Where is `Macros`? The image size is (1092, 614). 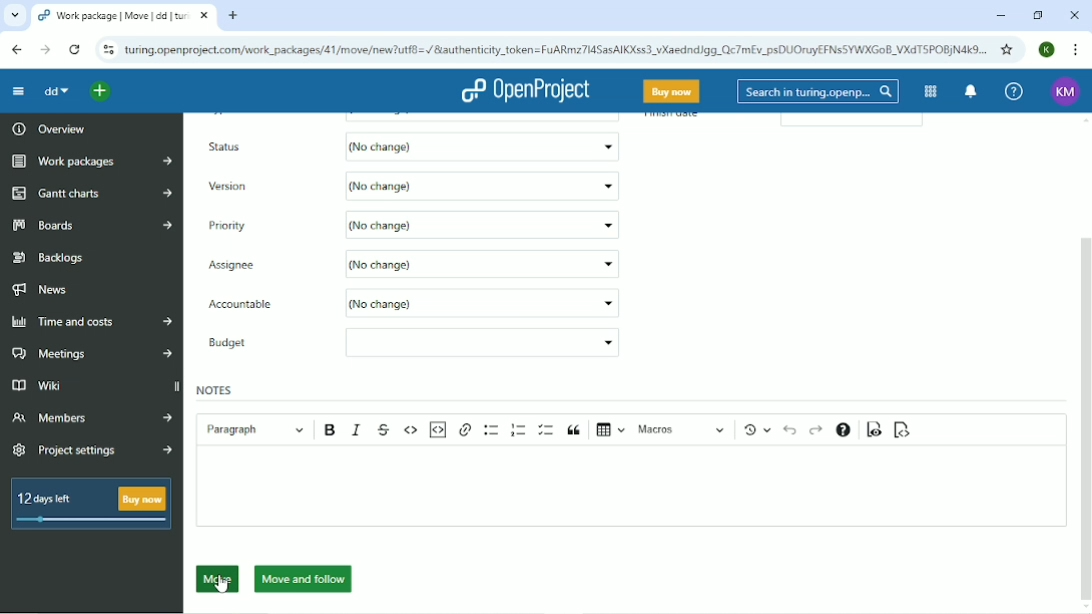 Macros is located at coordinates (683, 430).